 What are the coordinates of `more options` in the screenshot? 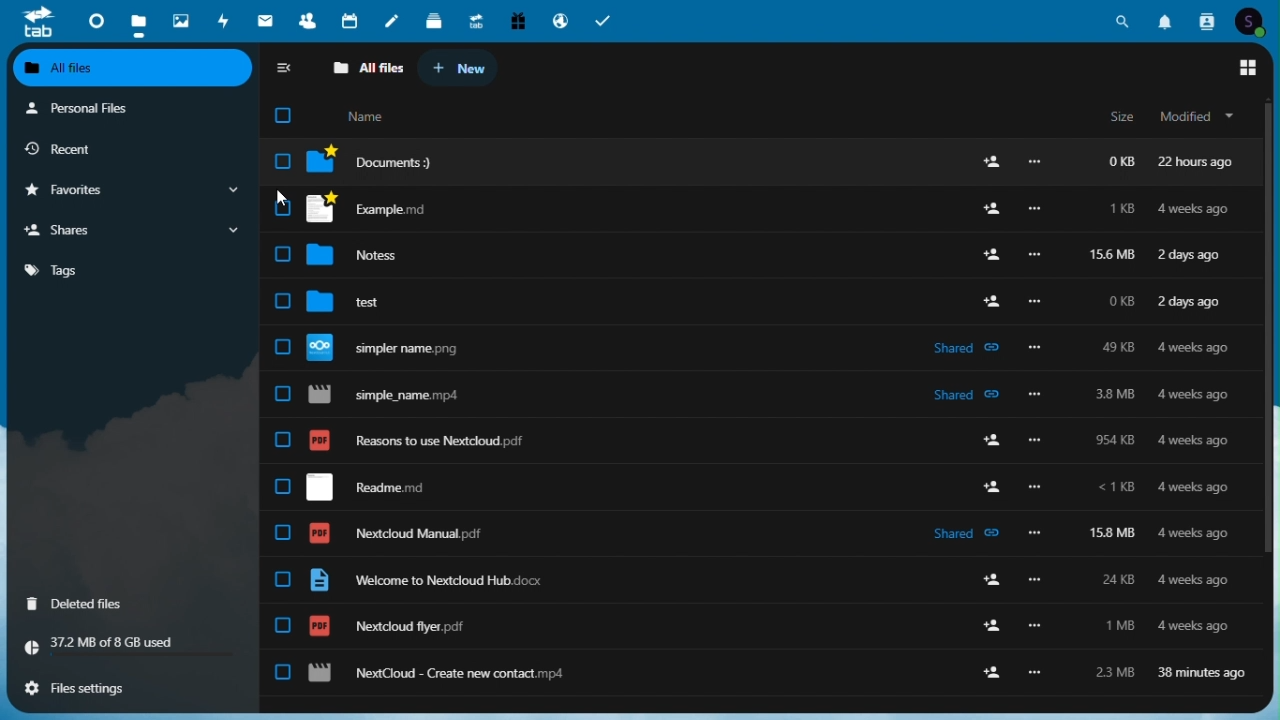 It's located at (1036, 487).